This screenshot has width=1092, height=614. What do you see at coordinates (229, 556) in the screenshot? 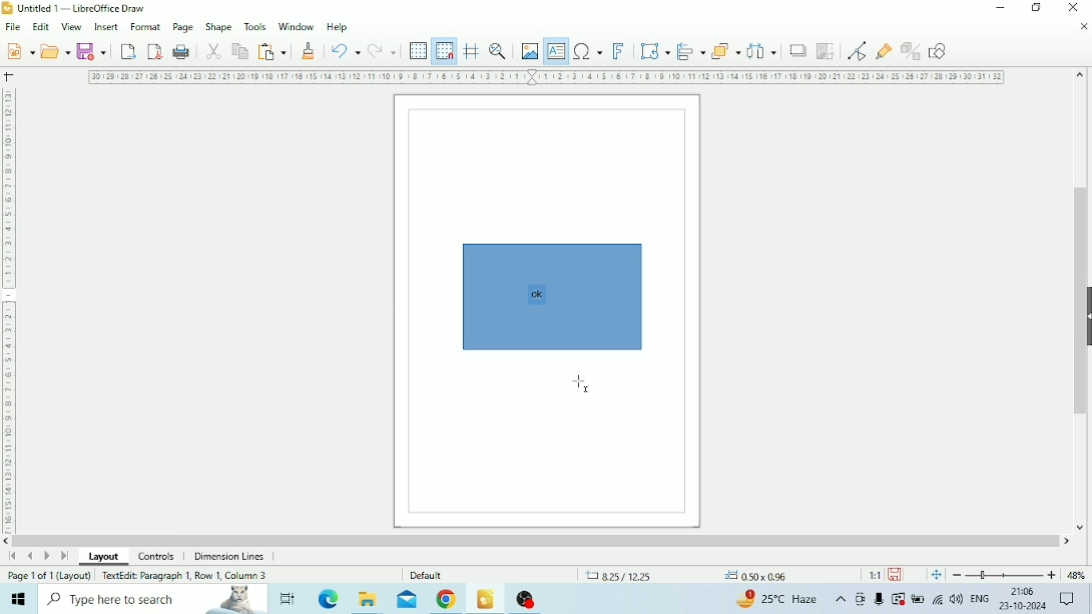
I see `Dimension Lines` at bounding box center [229, 556].